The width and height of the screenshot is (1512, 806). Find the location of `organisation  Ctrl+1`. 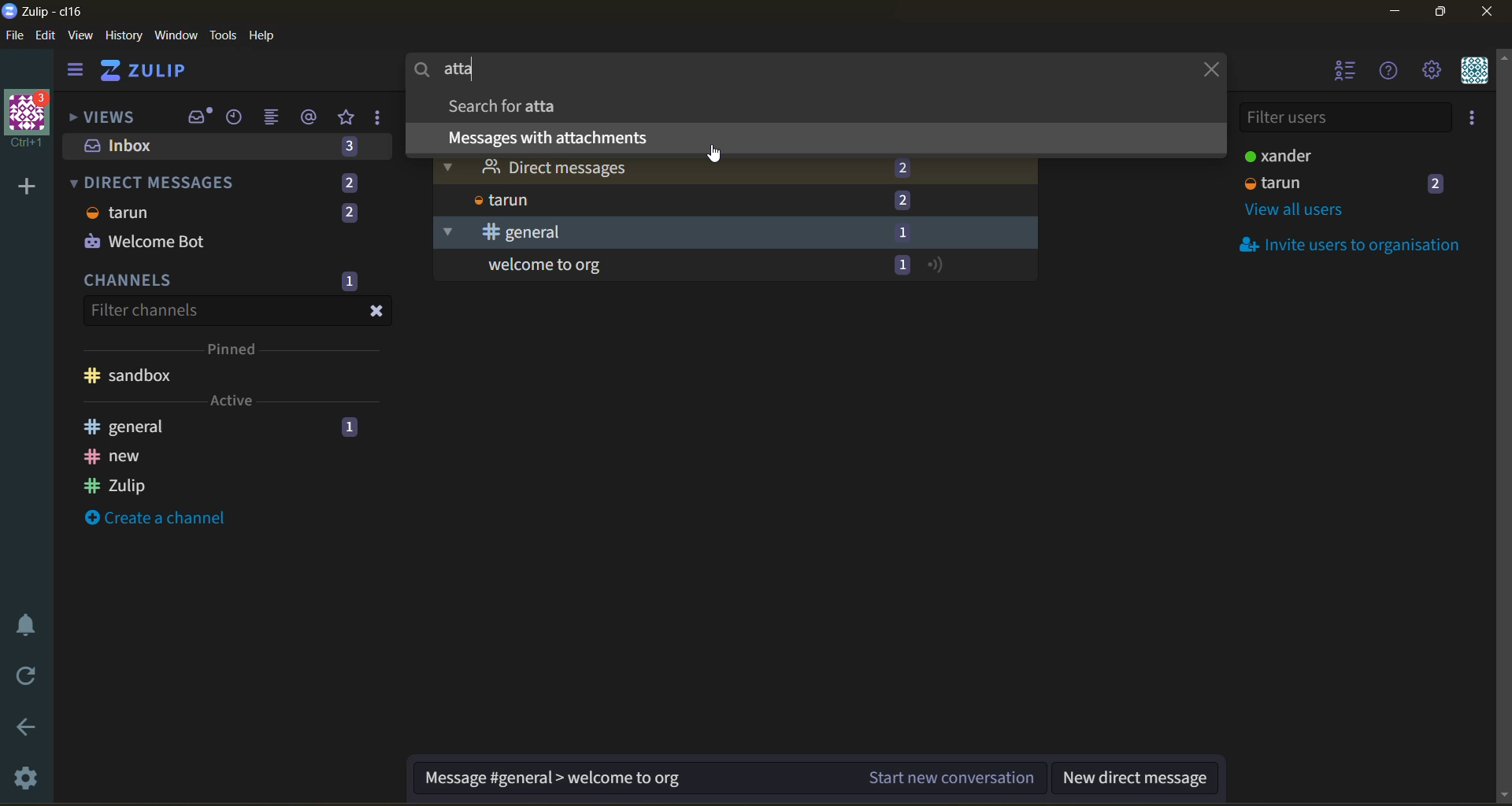

organisation  Ctrl+1 is located at coordinates (31, 121).